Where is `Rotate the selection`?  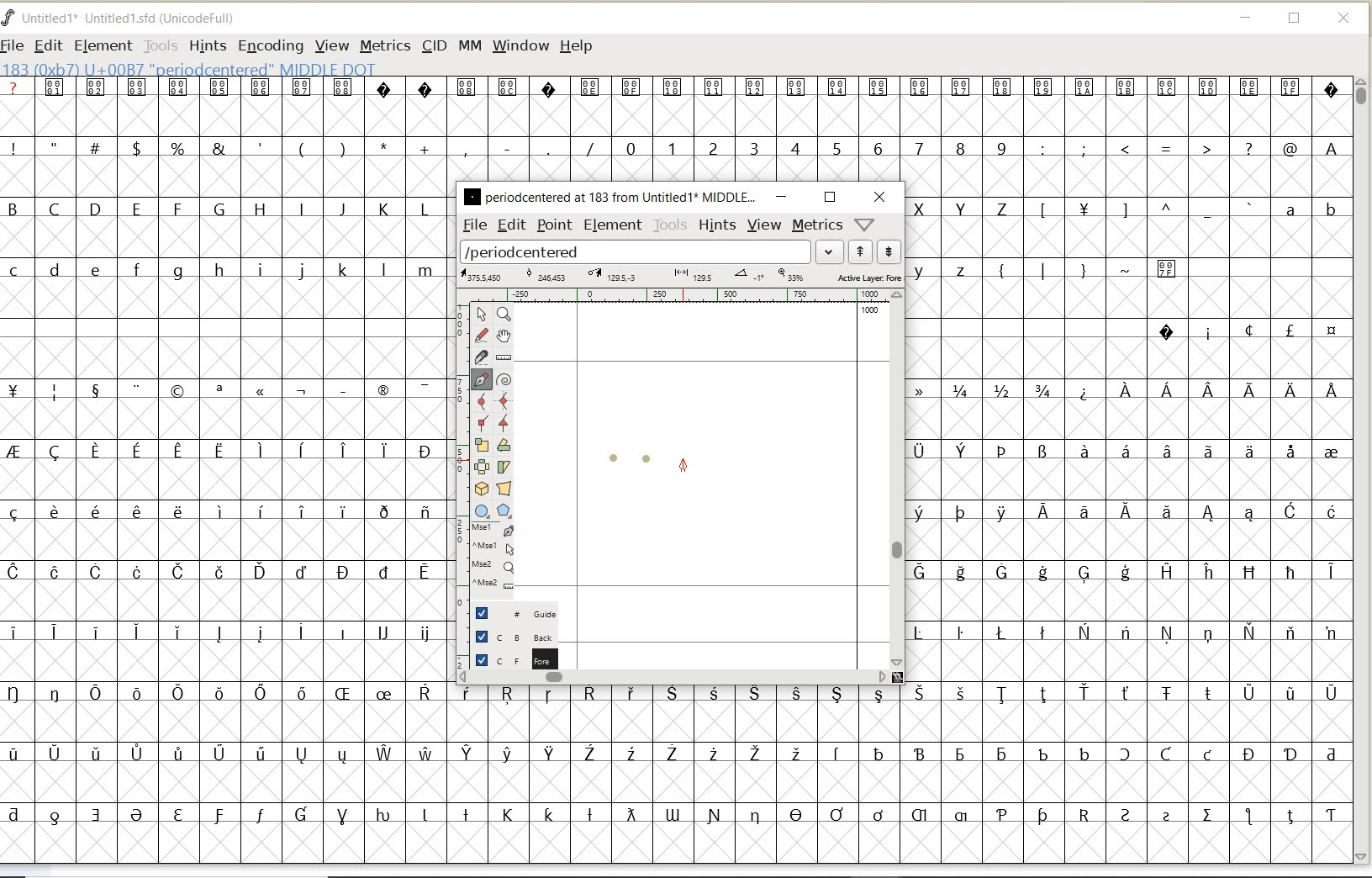 Rotate the selection is located at coordinates (504, 445).